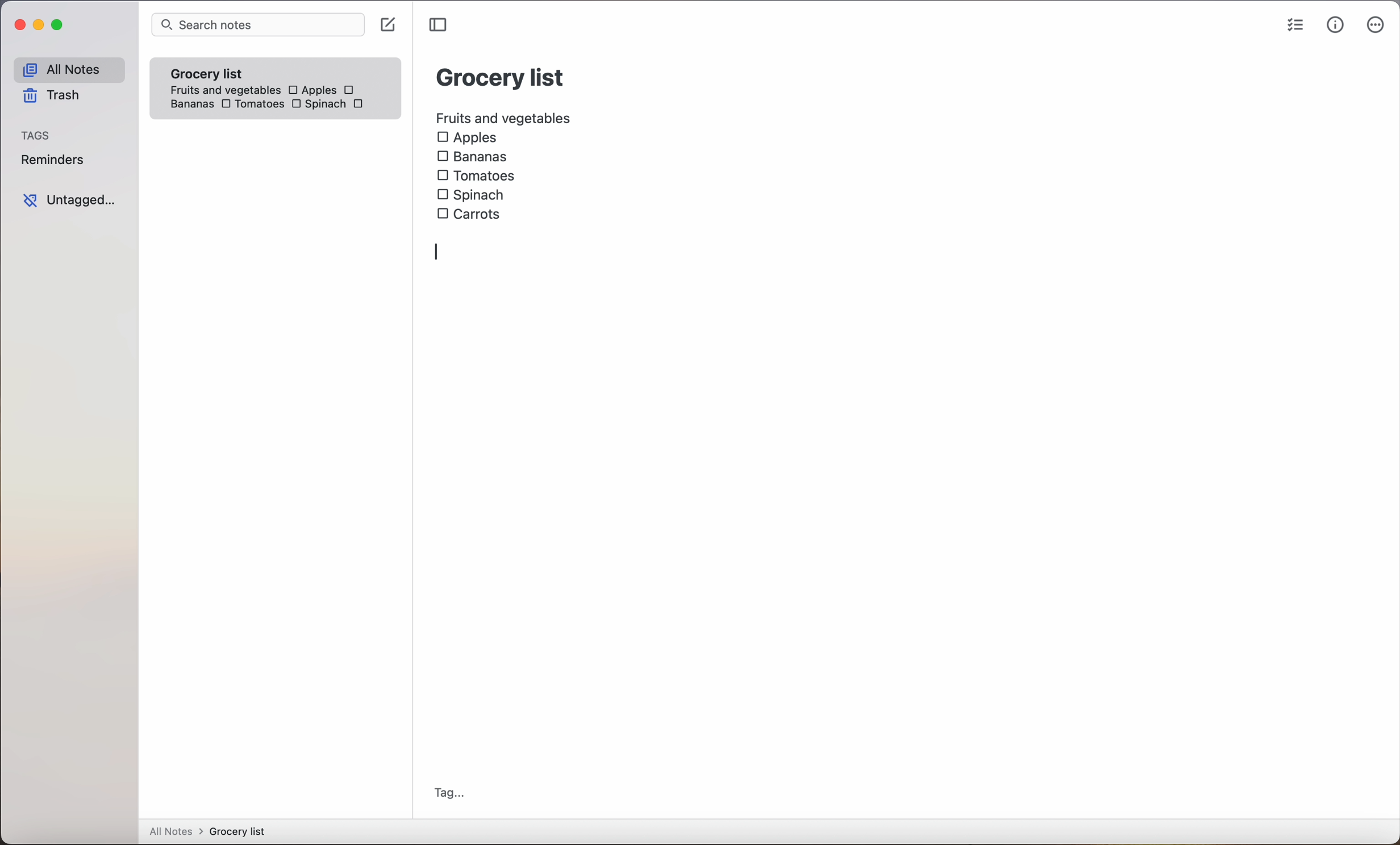  What do you see at coordinates (257, 26) in the screenshot?
I see `search bar` at bounding box center [257, 26].